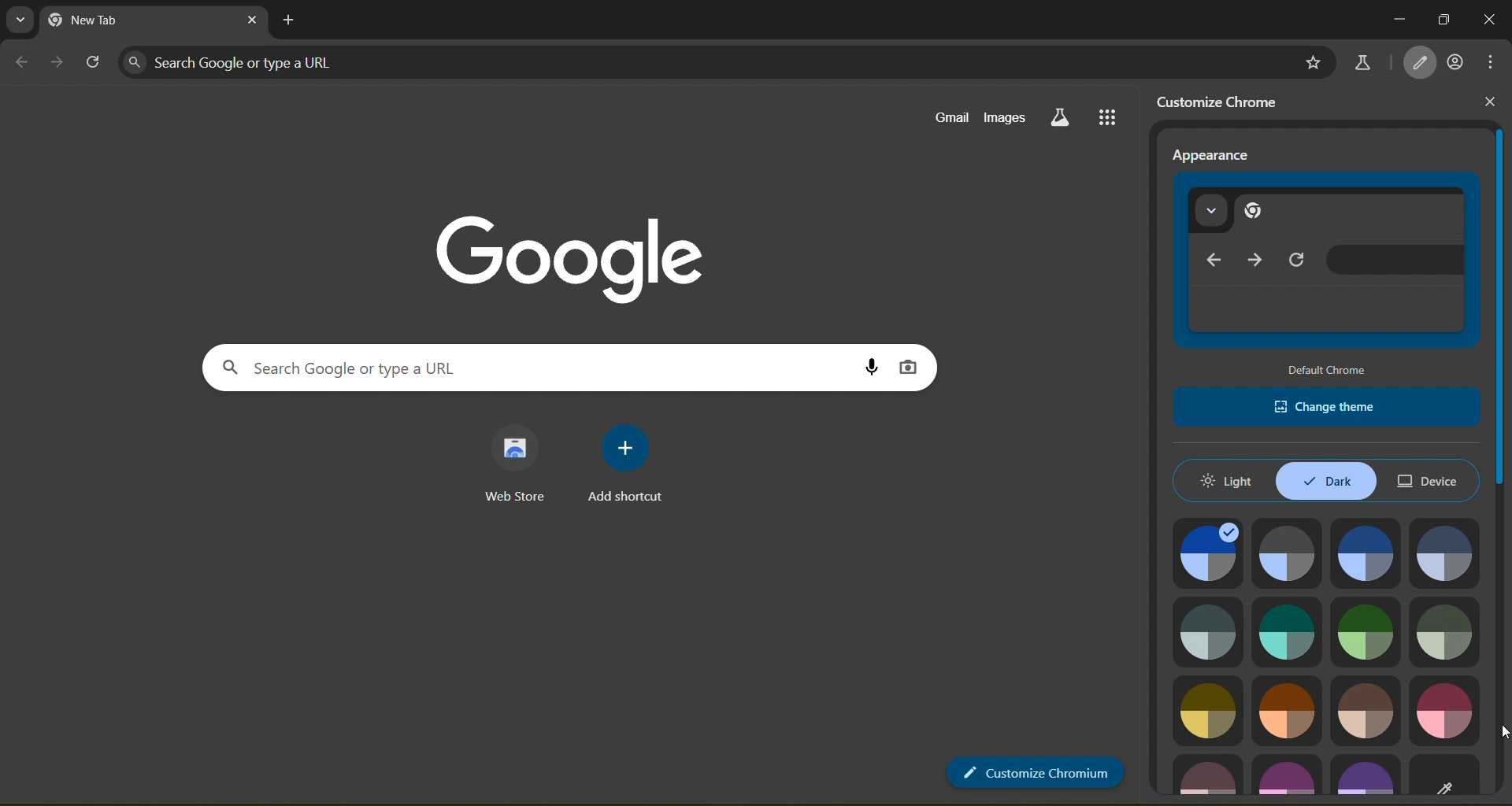  What do you see at coordinates (1206, 775) in the screenshot?
I see `image` at bounding box center [1206, 775].